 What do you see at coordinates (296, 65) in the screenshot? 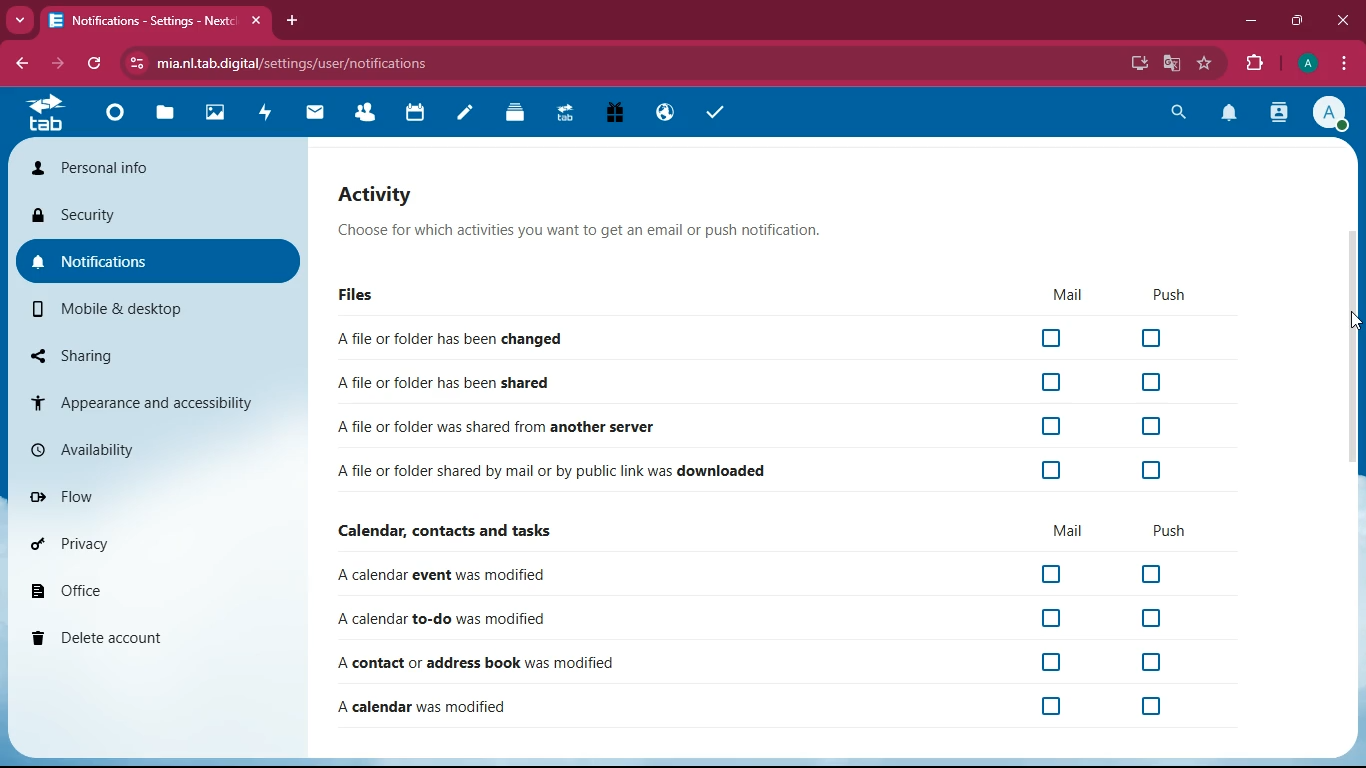
I see `mia.nl.tab.digital/settings/user/notifications` at bounding box center [296, 65].